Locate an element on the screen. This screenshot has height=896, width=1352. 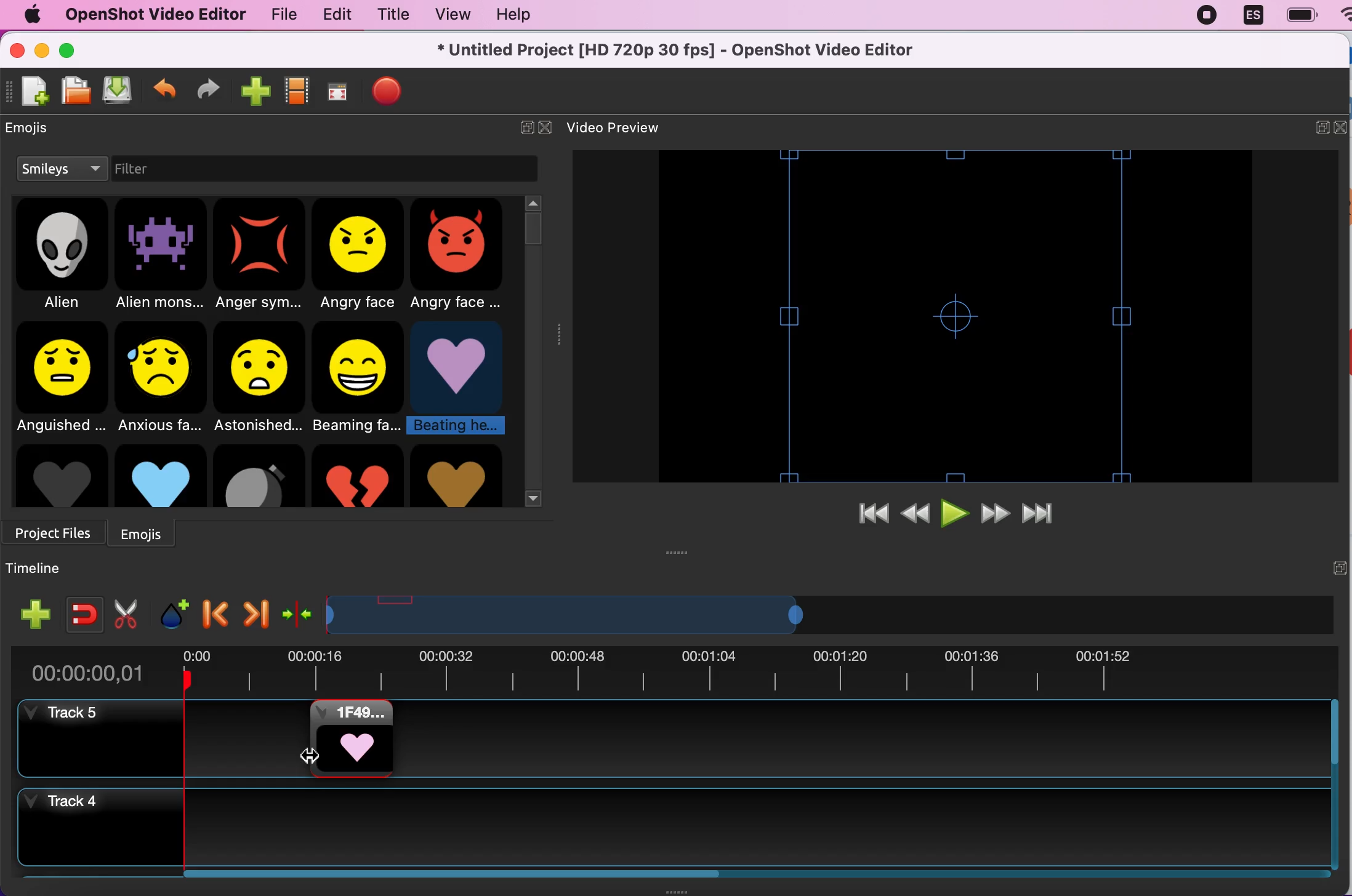
Broken heart is located at coordinates (357, 476).